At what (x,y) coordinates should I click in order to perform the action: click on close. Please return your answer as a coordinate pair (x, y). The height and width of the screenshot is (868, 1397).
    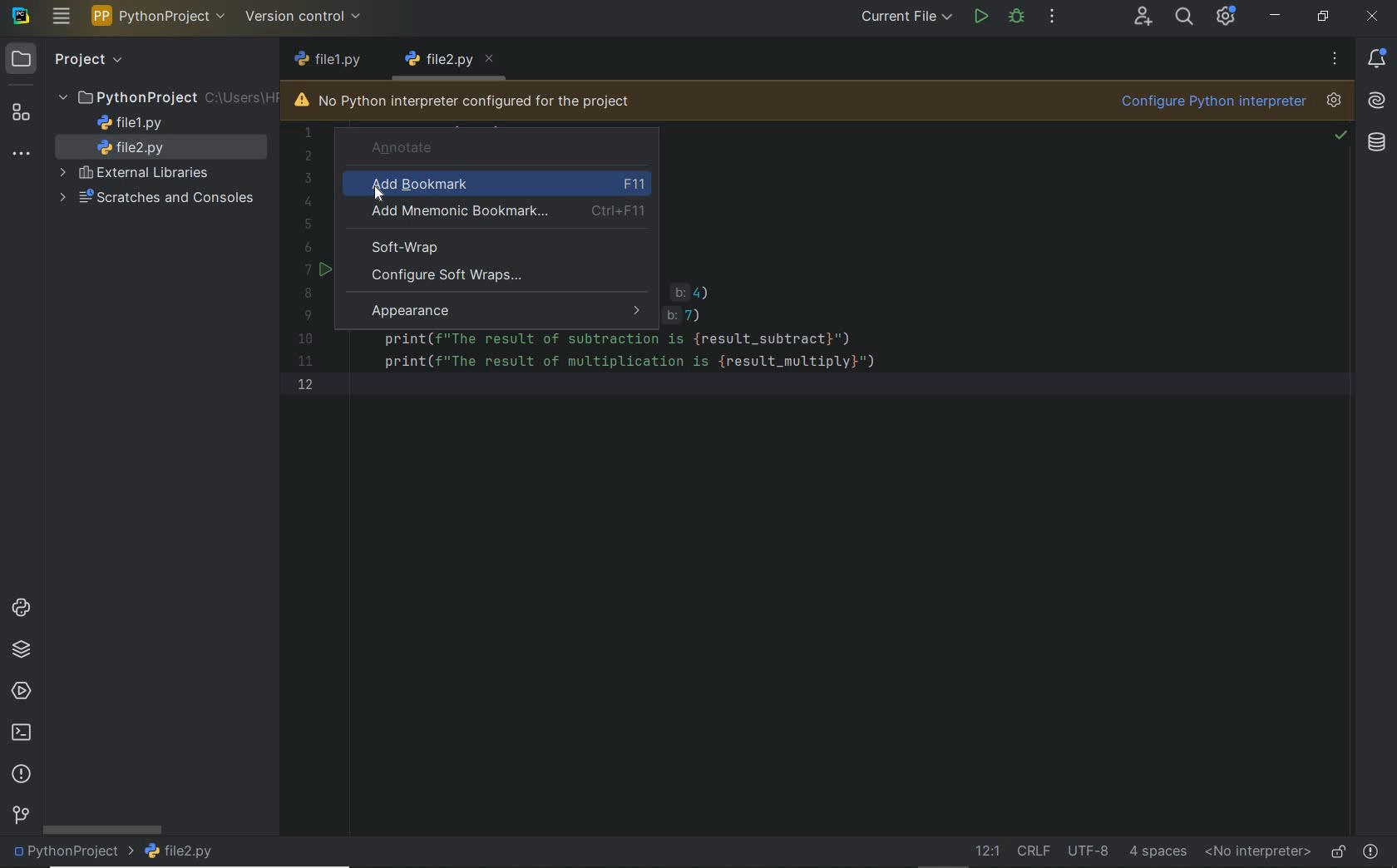
    Looking at the image, I should click on (1371, 16).